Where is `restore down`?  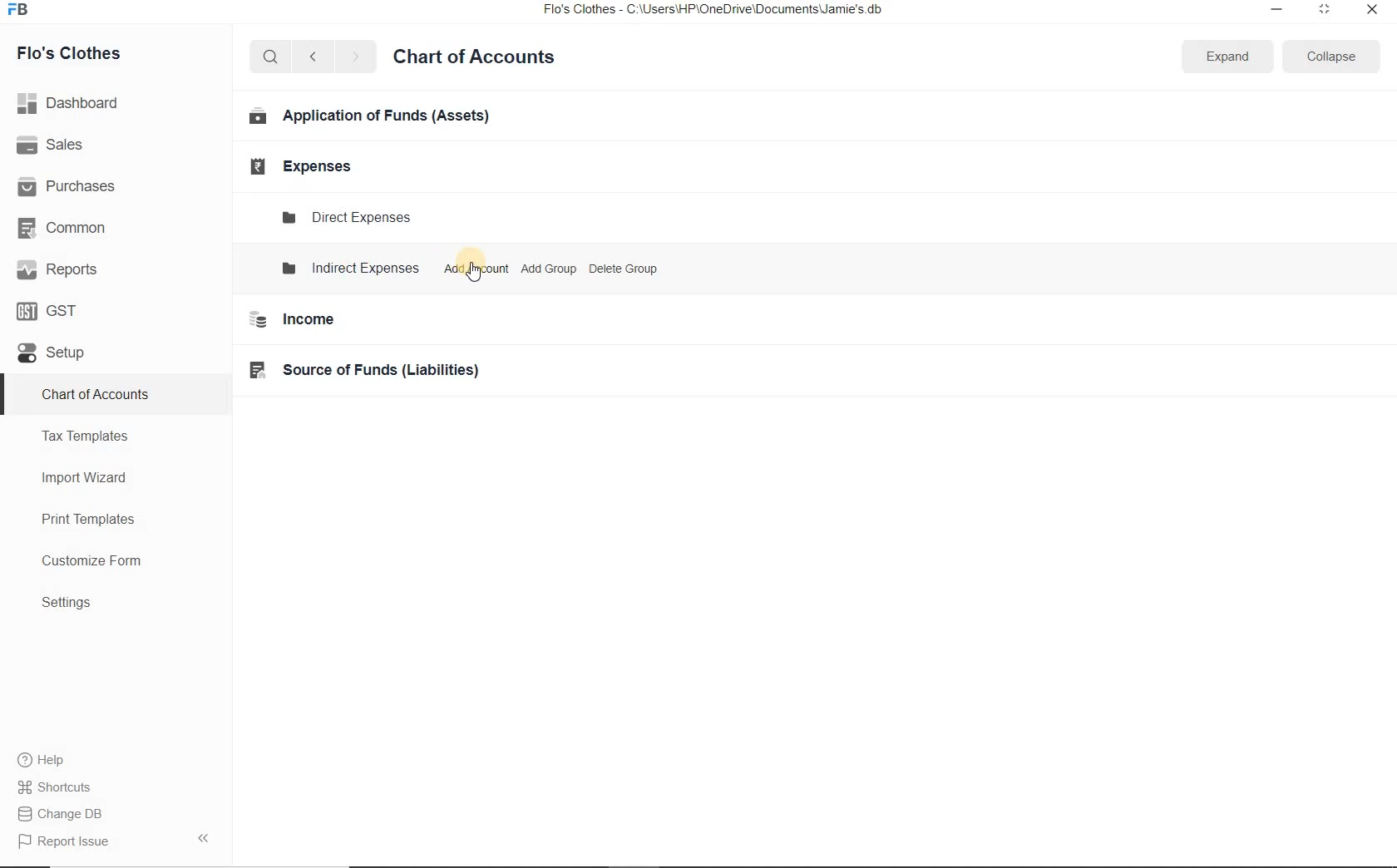
restore down is located at coordinates (1323, 12).